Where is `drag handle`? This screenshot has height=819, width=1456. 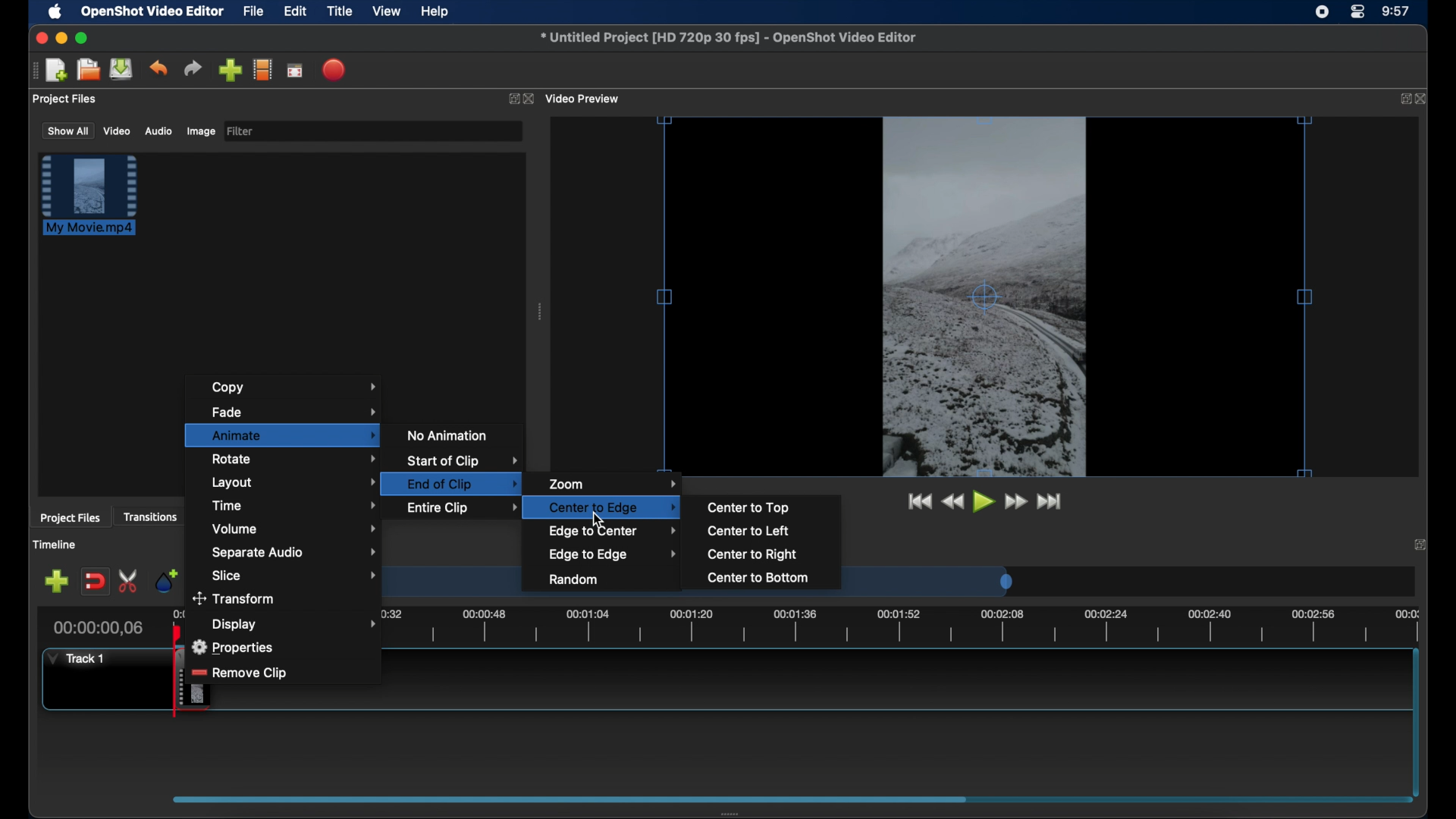 drag handle is located at coordinates (34, 71).